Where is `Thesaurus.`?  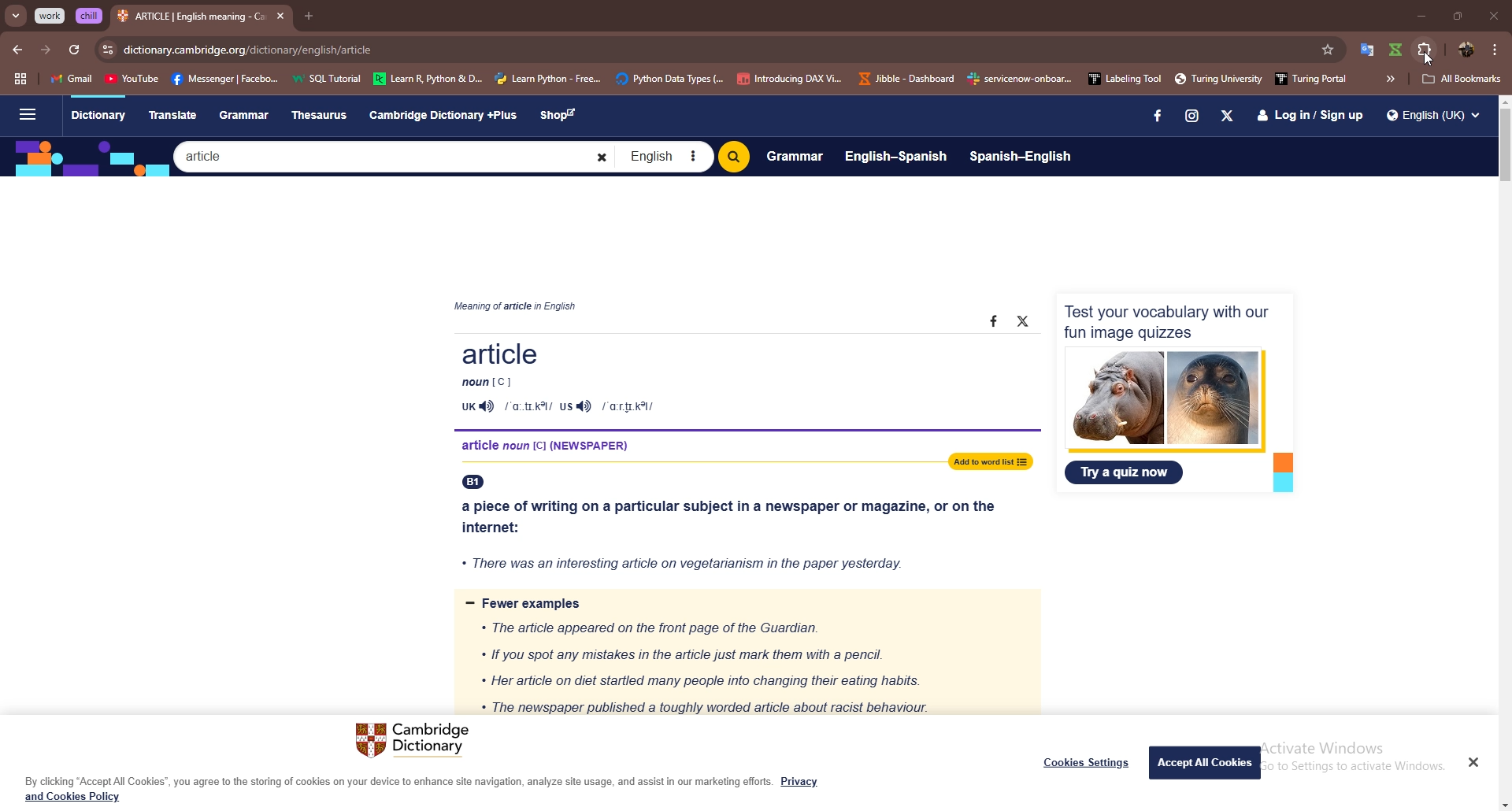
Thesaurus. is located at coordinates (324, 116).